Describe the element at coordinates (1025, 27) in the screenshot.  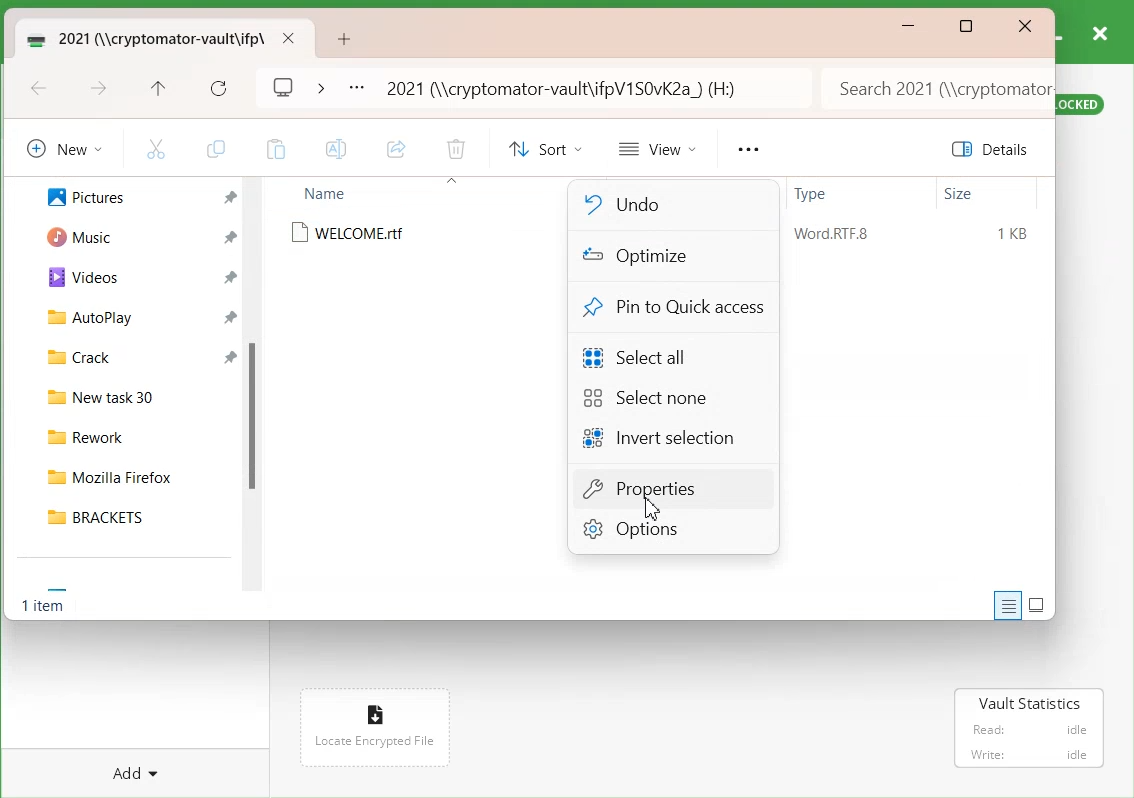
I see `Close` at that location.